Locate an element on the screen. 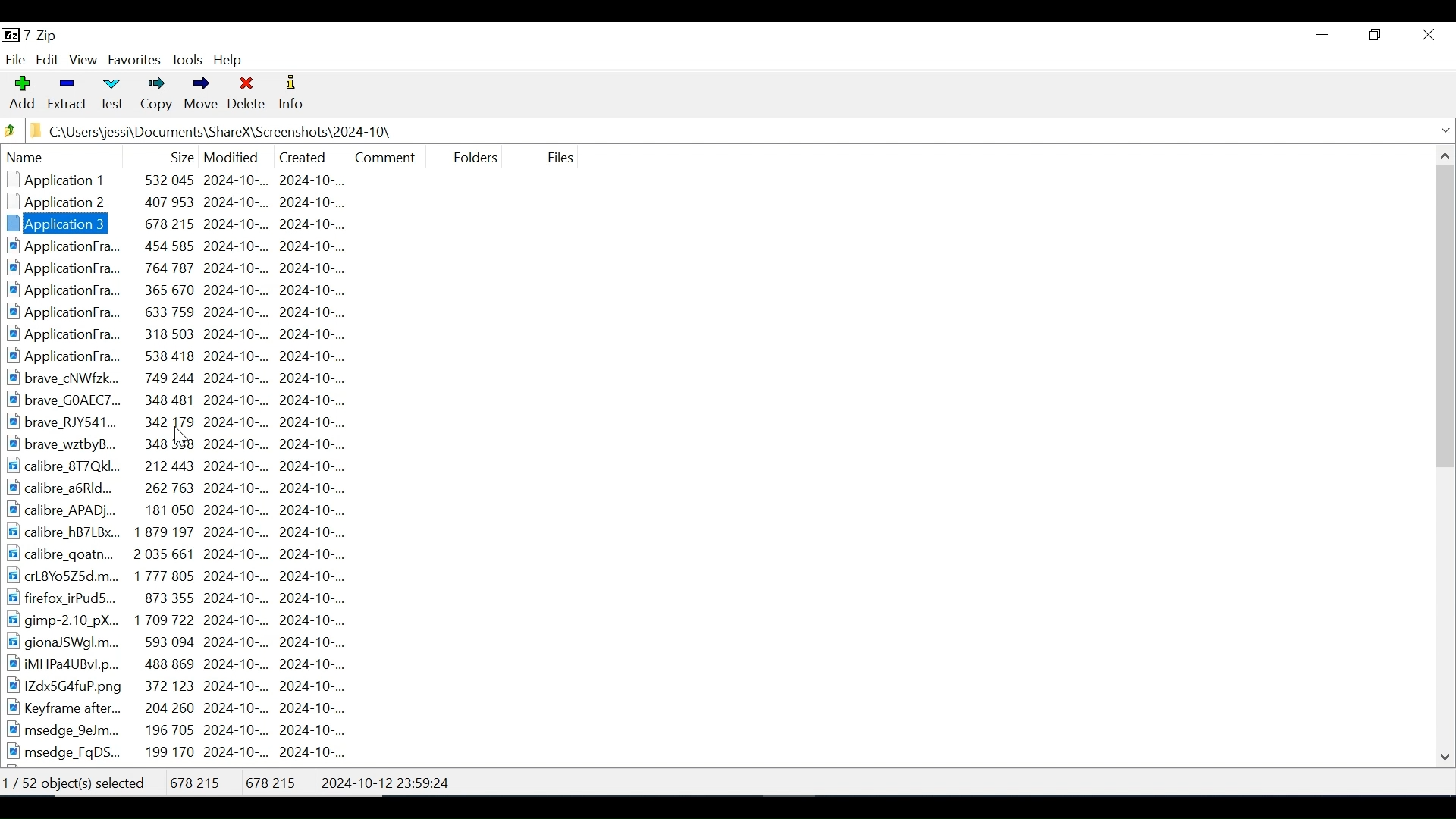 The image size is (1456, 819).  calibre_8T7QKI... 212443 2024-10-... 2024-10-... is located at coordinates (190, 466).